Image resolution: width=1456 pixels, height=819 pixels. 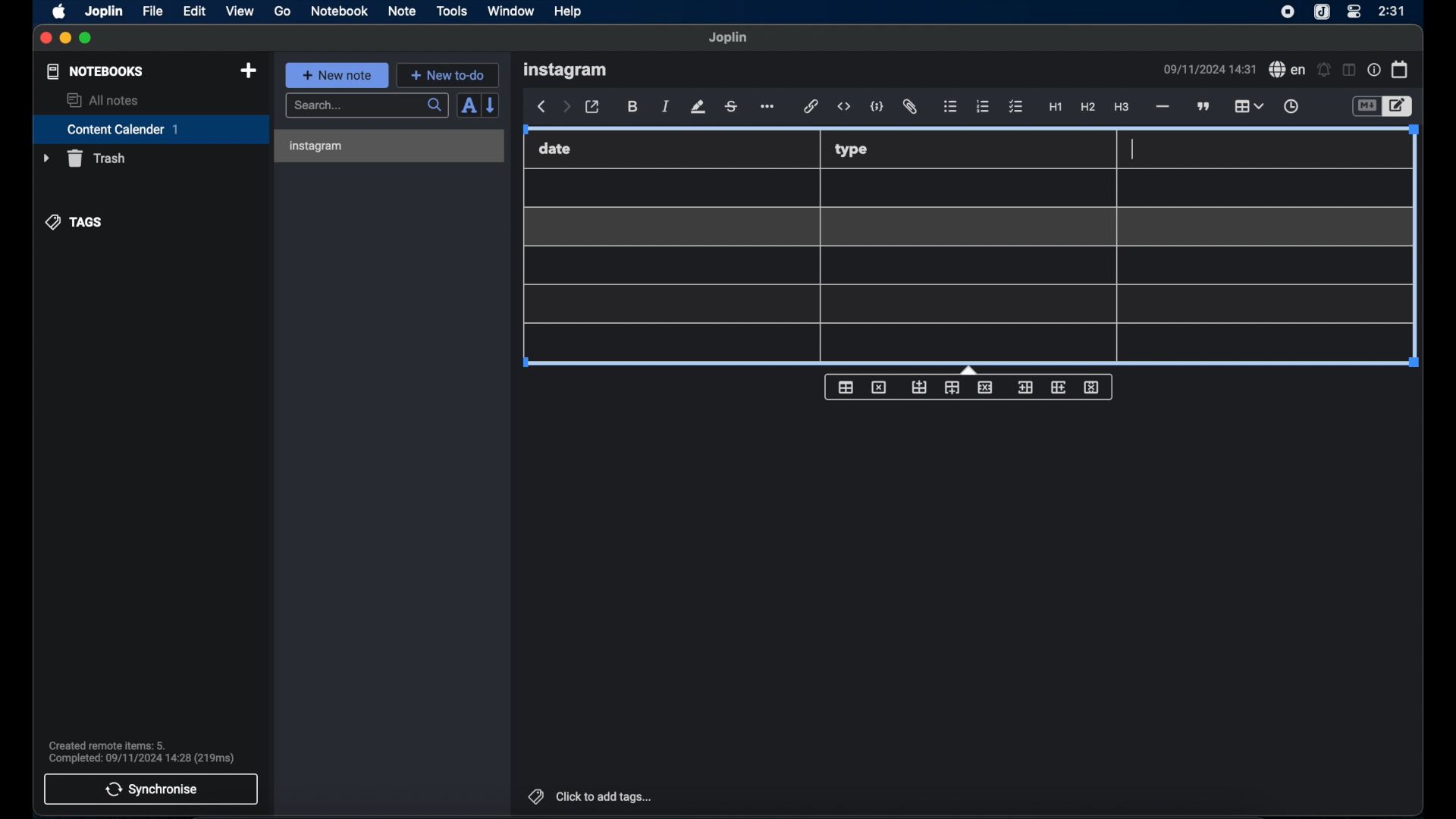 What do you see at coordinates (556, 149) in the screenshot?
I see `date` at bounding box center [556, 149].